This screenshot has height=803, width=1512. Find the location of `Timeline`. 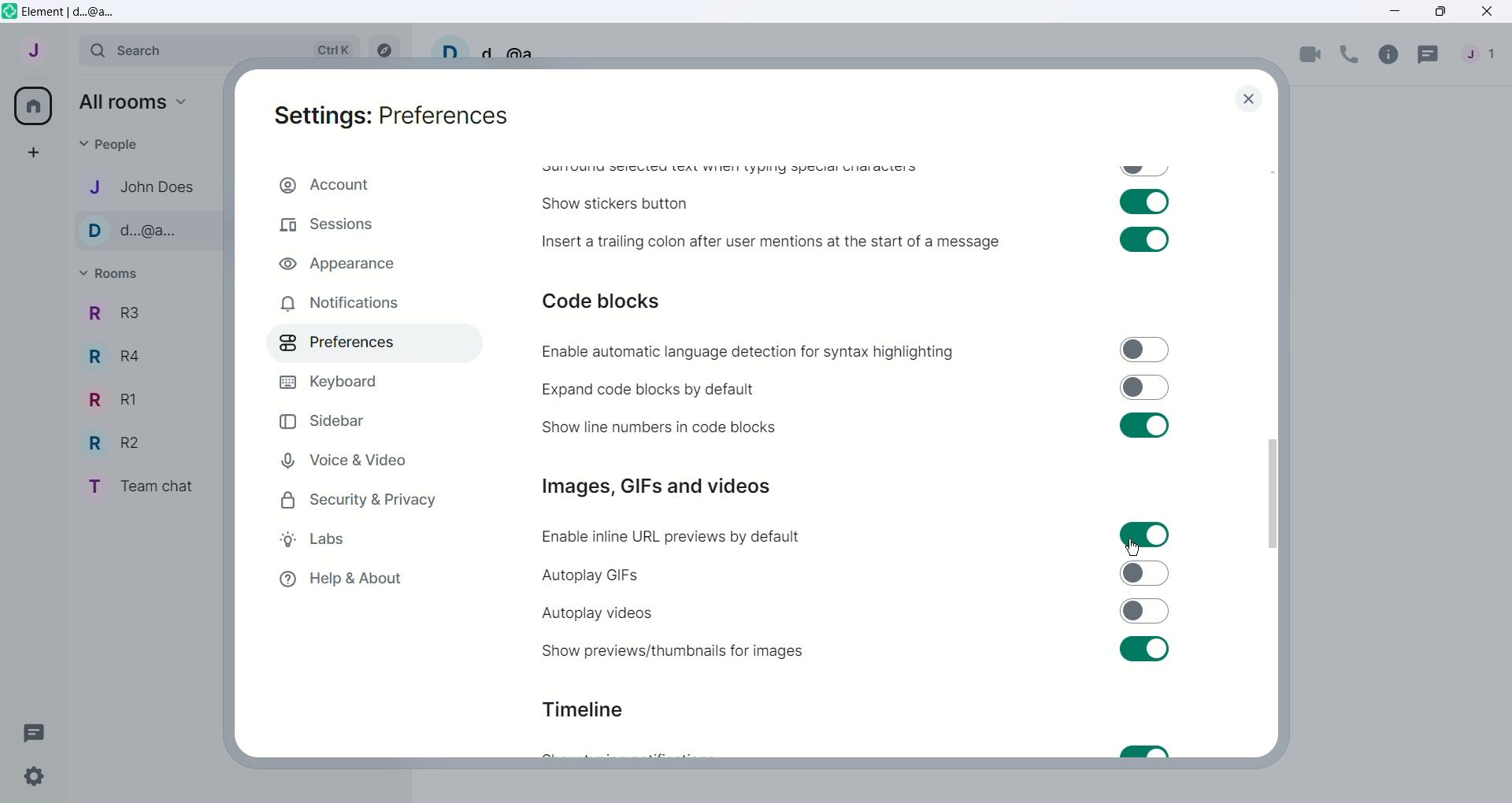

Timeline is located at coordinates (584, 709).